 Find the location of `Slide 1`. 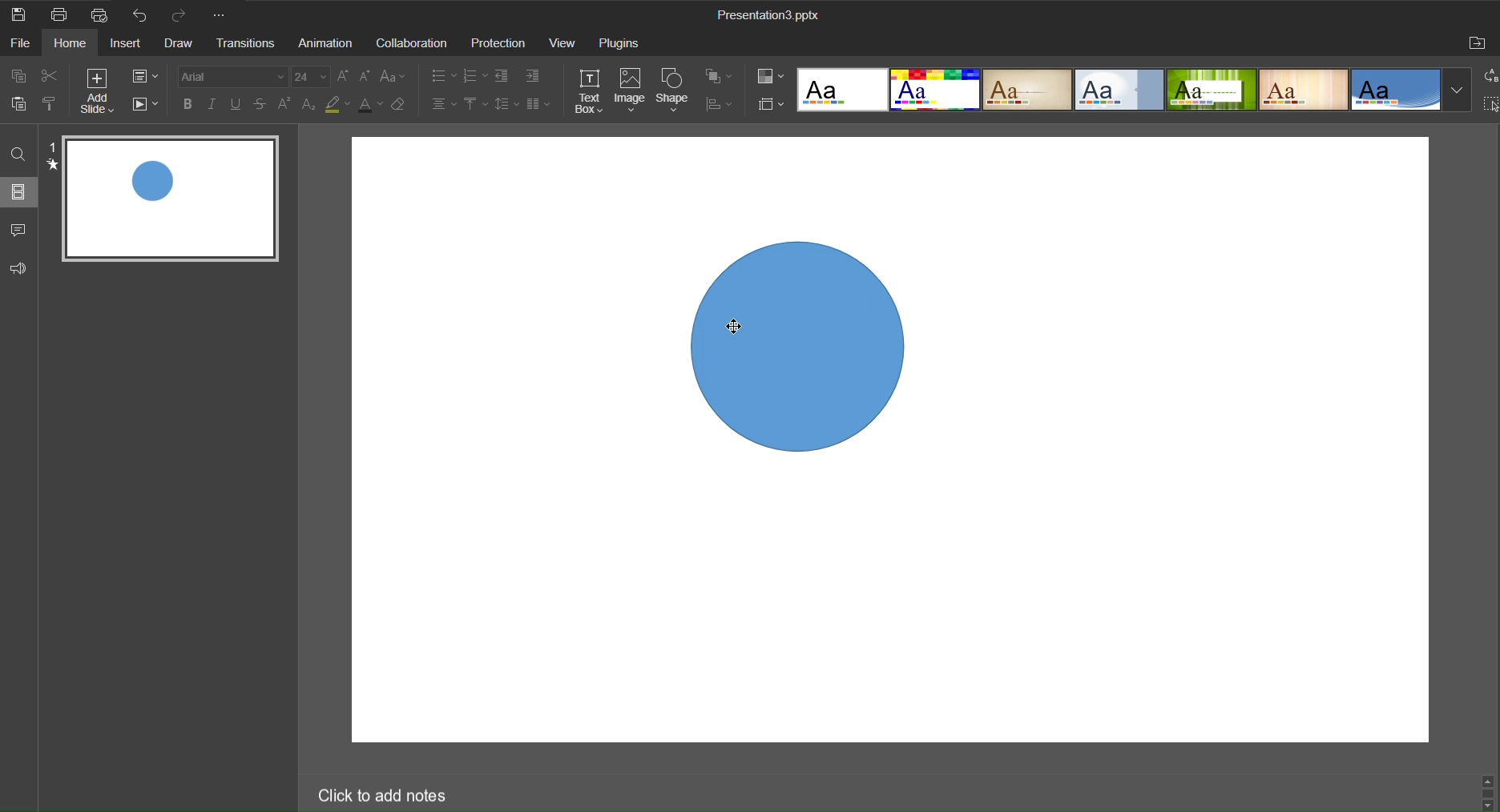

Slide 1 is located at coordinates (172, 201).